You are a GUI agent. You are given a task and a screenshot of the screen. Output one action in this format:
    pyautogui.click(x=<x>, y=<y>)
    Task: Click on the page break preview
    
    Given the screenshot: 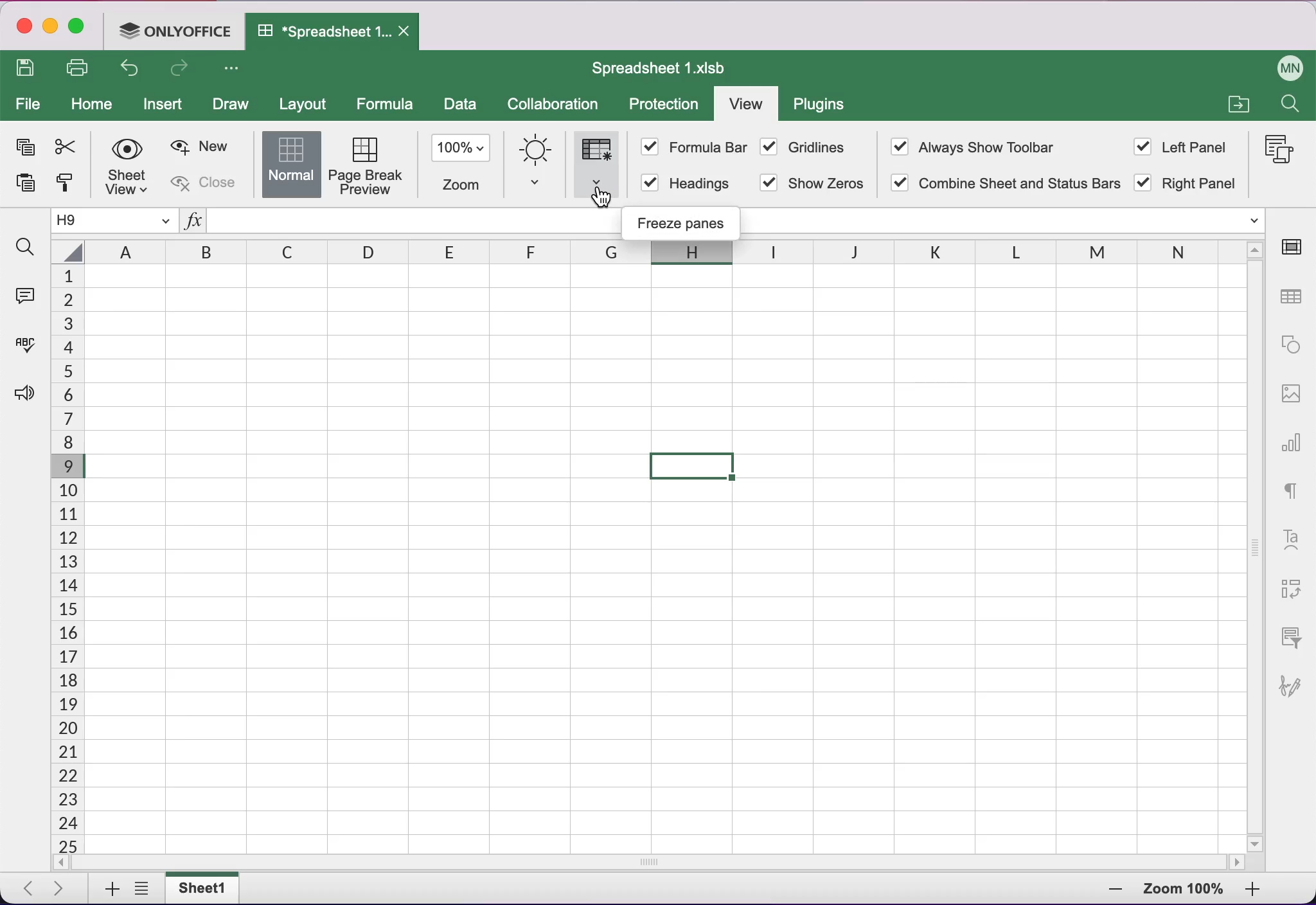 What is the action you would take?
    pyautogui.click(x=368, y=165)
    